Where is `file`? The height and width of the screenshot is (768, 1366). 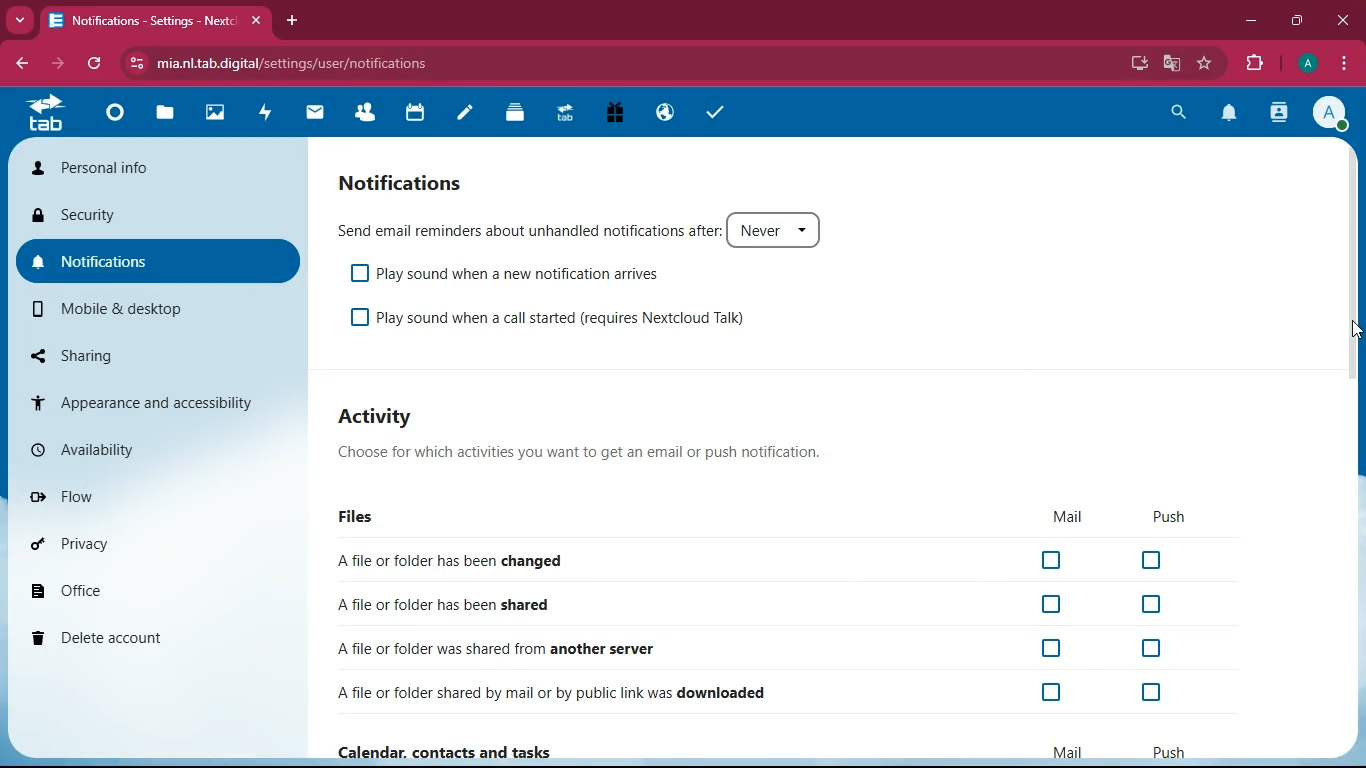
file is located at coordinates (162, 113).